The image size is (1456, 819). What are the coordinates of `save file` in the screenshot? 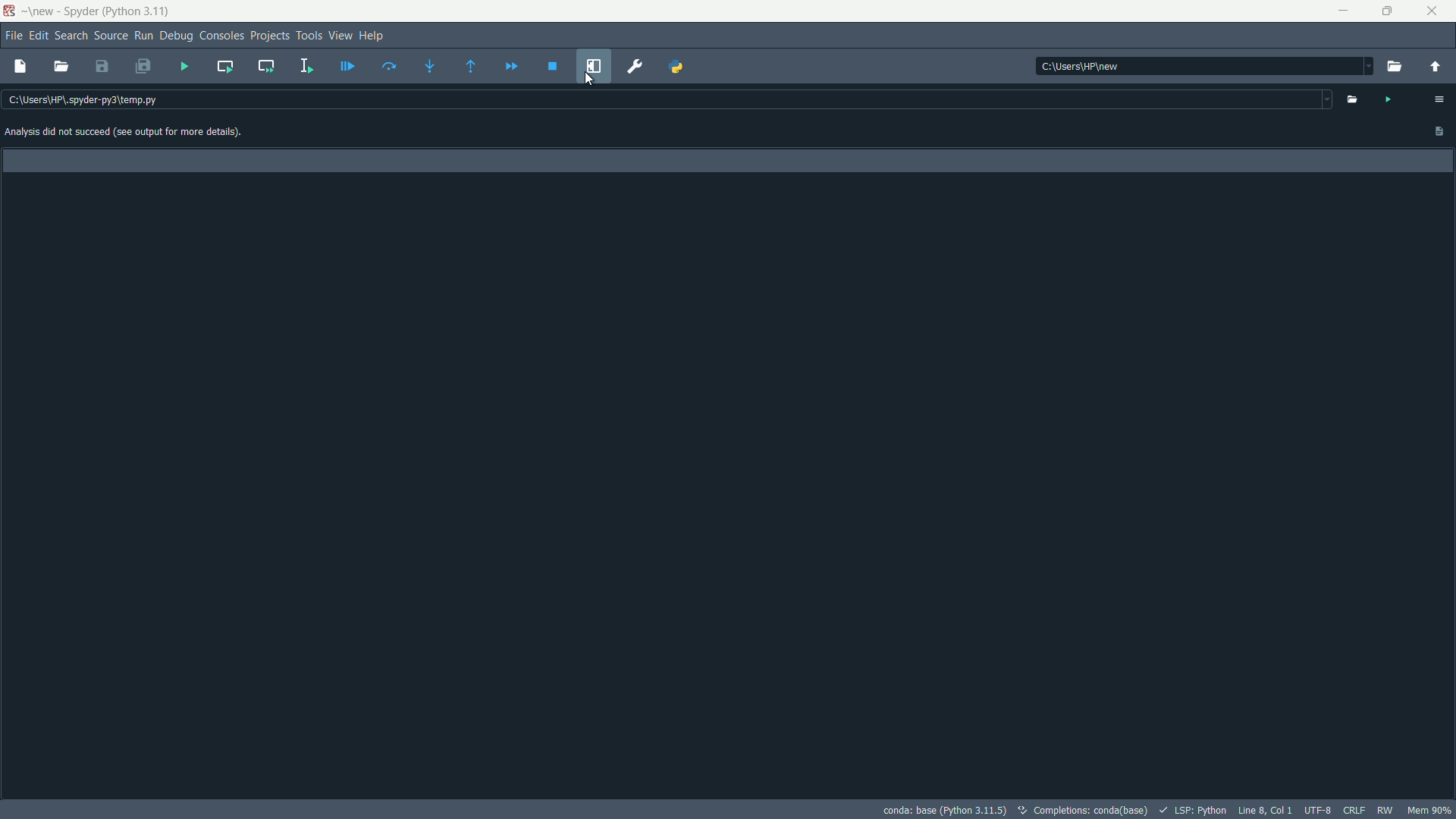 It's located at (102, 67).